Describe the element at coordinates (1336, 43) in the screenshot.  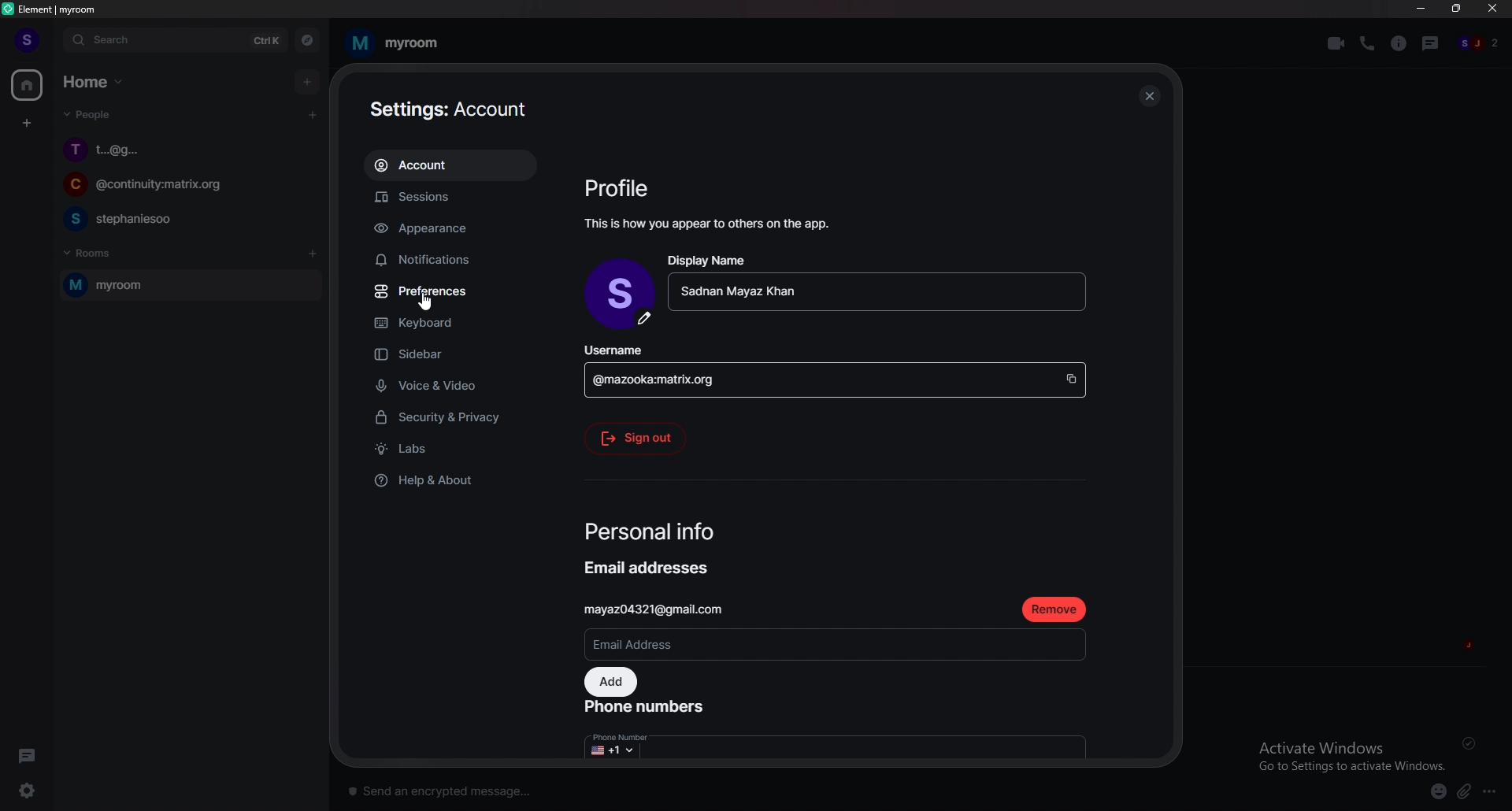
I see `video call` at that location.